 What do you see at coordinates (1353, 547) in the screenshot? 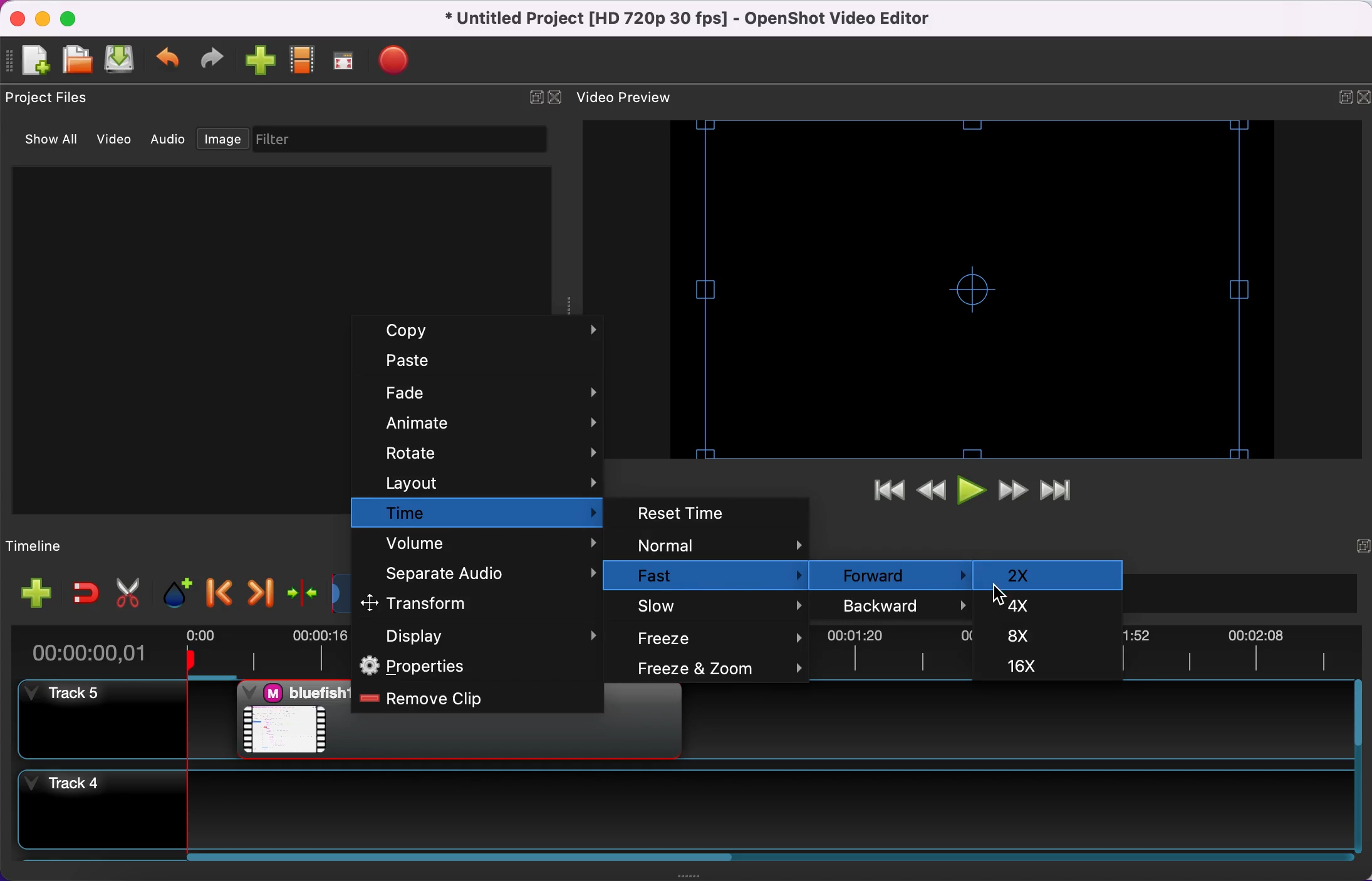
I see `expand/hide` at bounding box center [1353, 547].